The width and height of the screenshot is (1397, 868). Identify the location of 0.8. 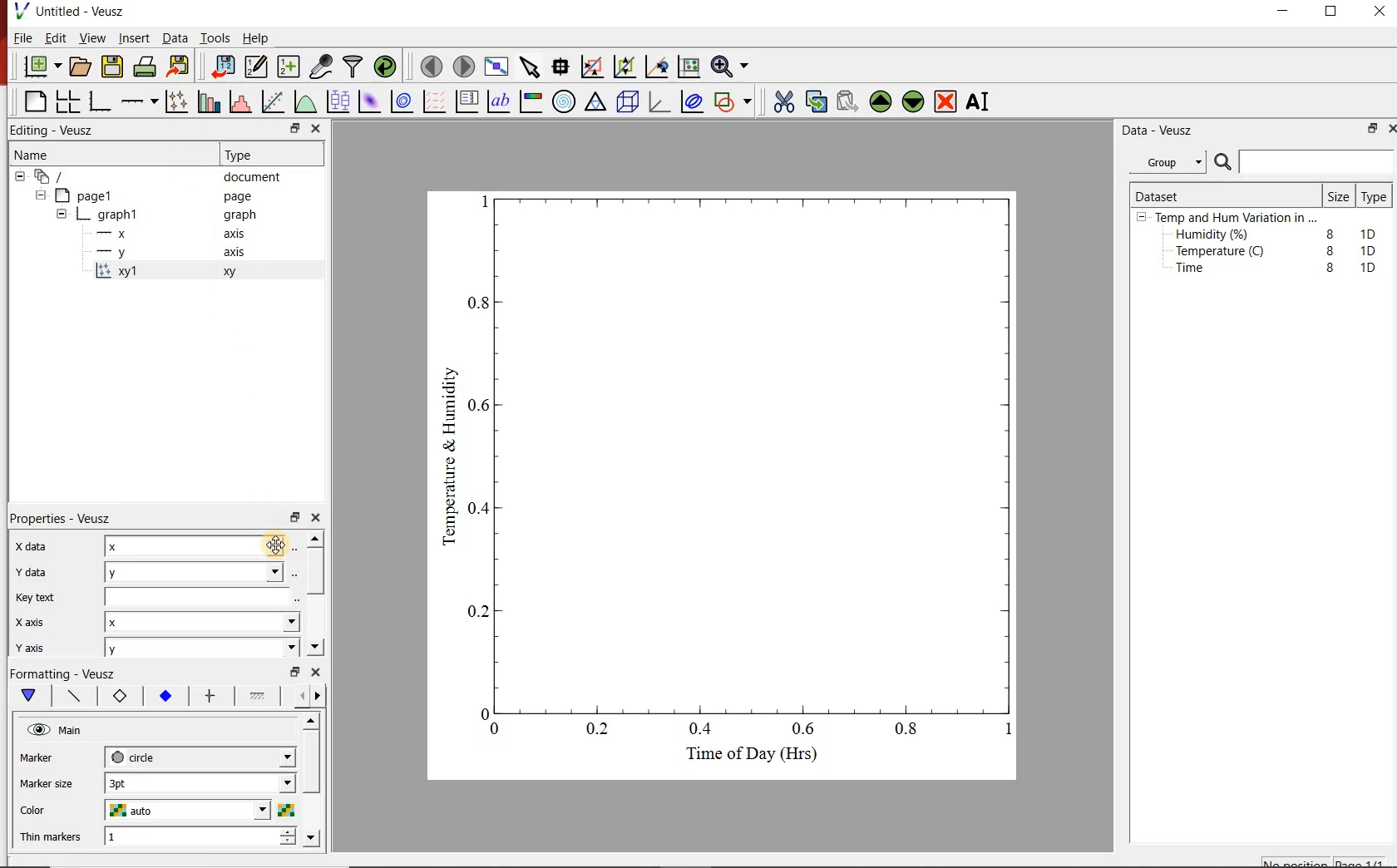
(911, 732).